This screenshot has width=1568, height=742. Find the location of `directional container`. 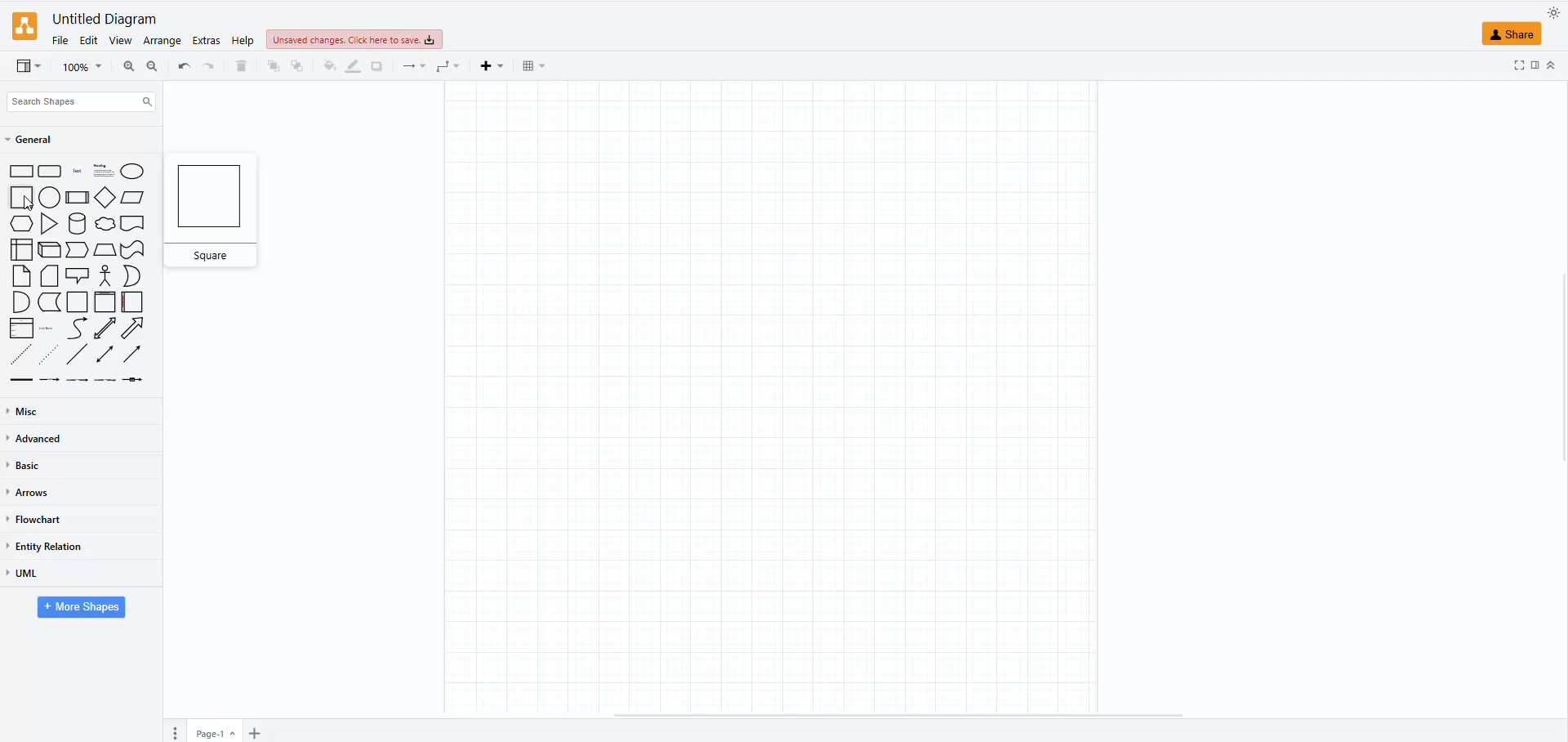

directional container is located at coordinates (136, 357).